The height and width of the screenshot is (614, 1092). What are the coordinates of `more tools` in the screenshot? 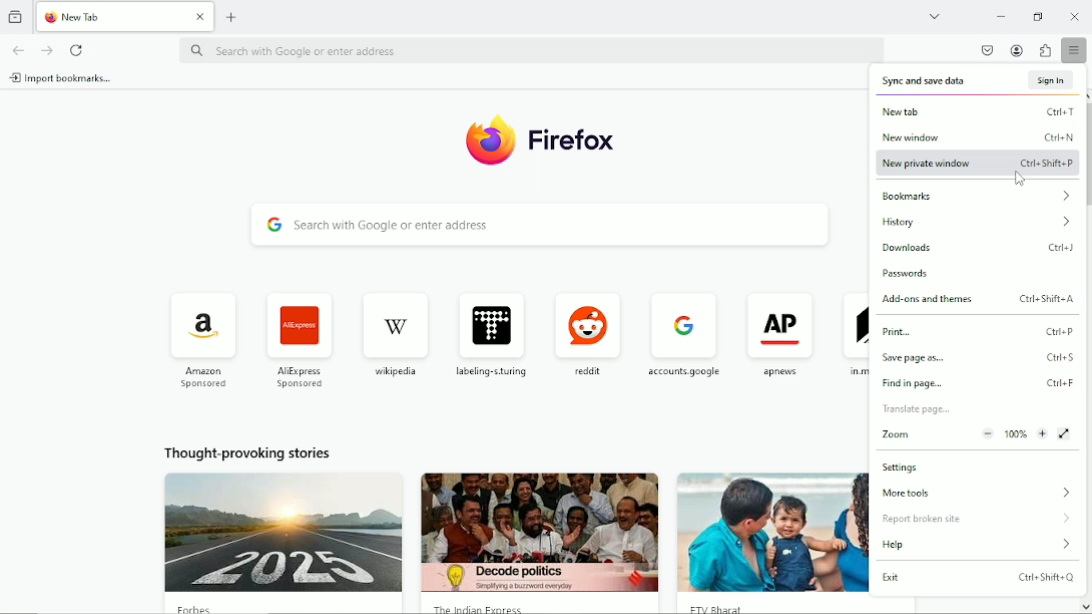 It's located at (977, 492).